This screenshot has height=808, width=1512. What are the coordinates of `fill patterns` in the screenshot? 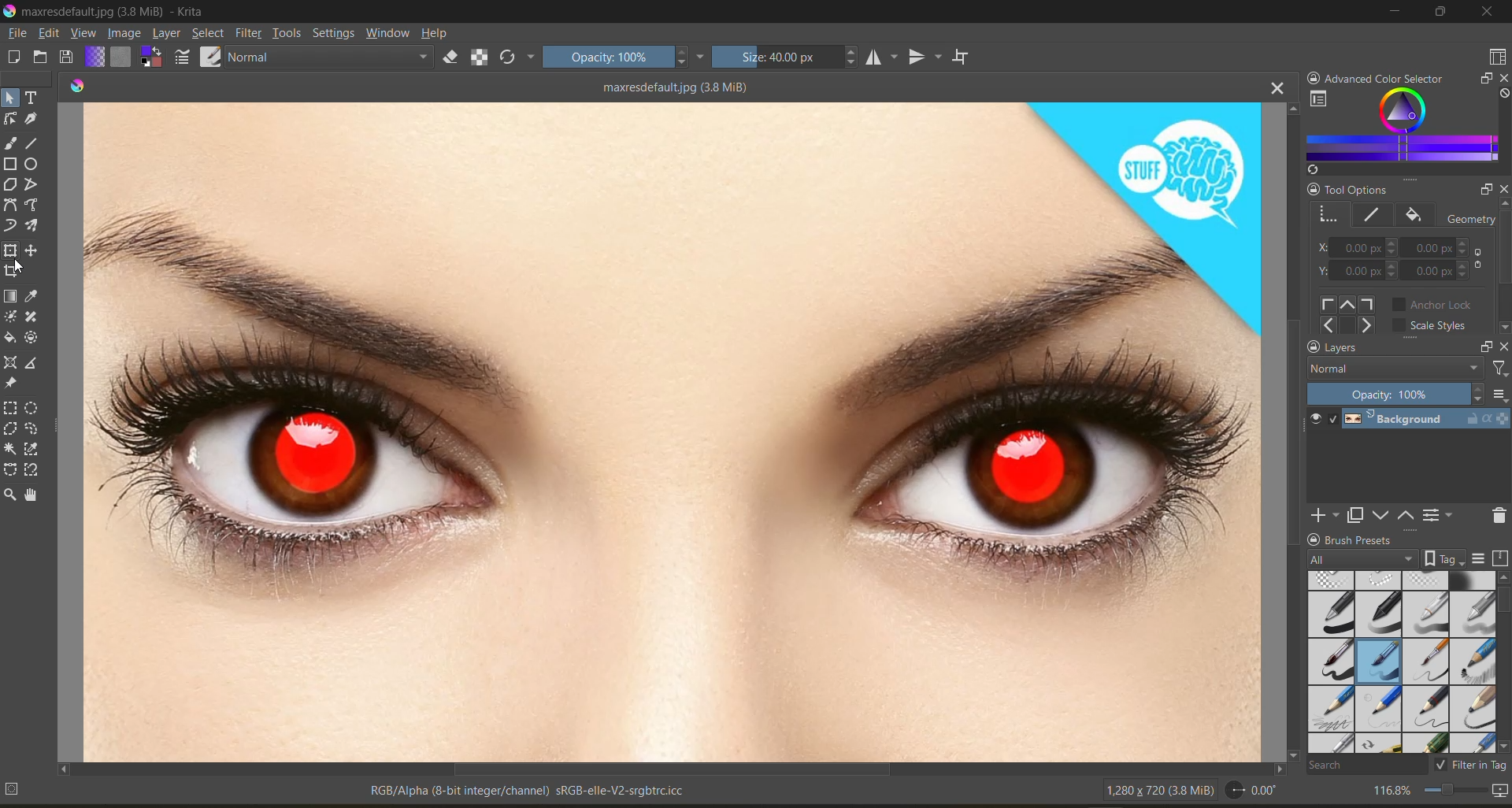 It's located at (123, 57).